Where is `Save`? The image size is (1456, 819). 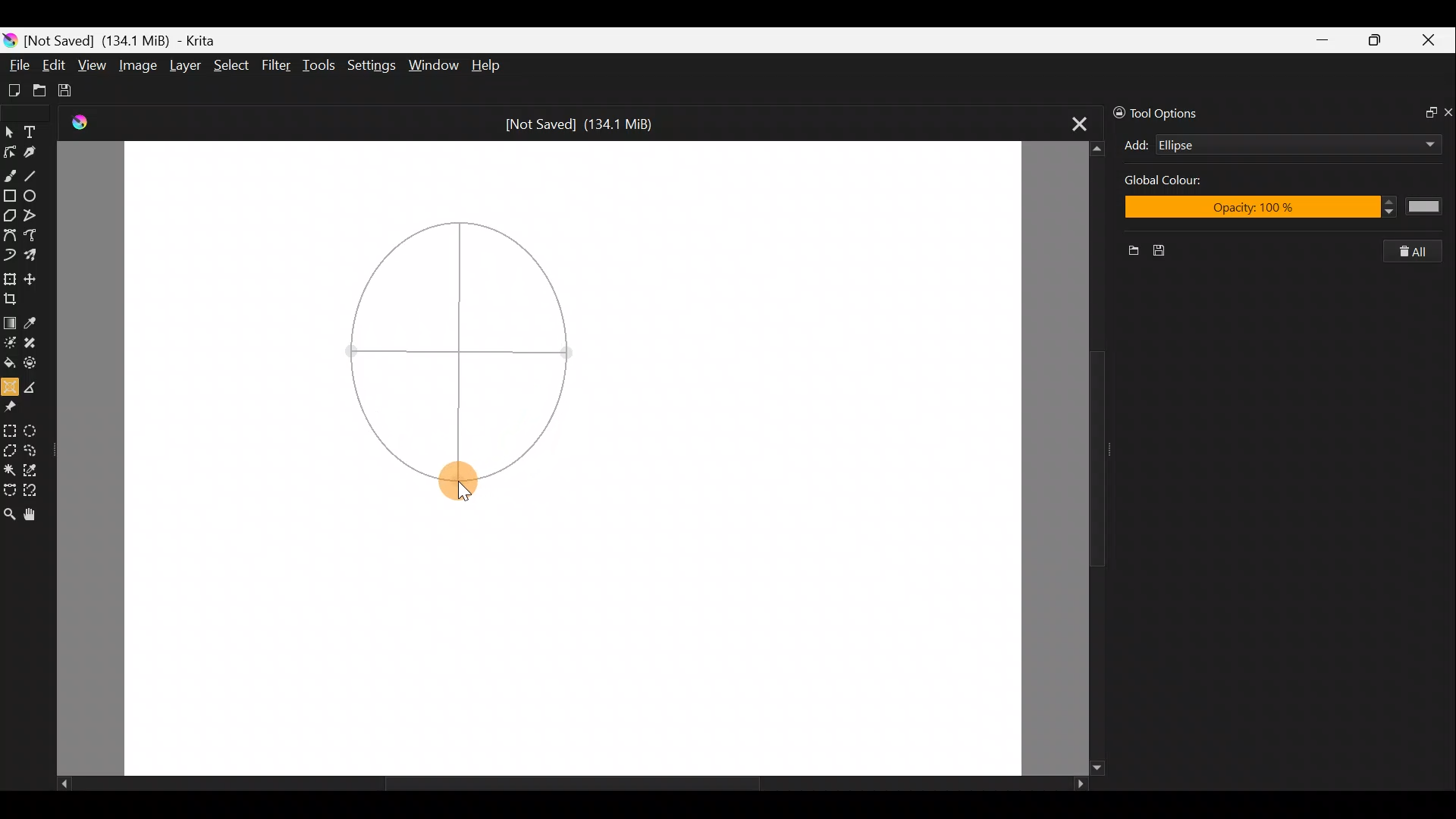 Save is located at coordinates (1168, 251).